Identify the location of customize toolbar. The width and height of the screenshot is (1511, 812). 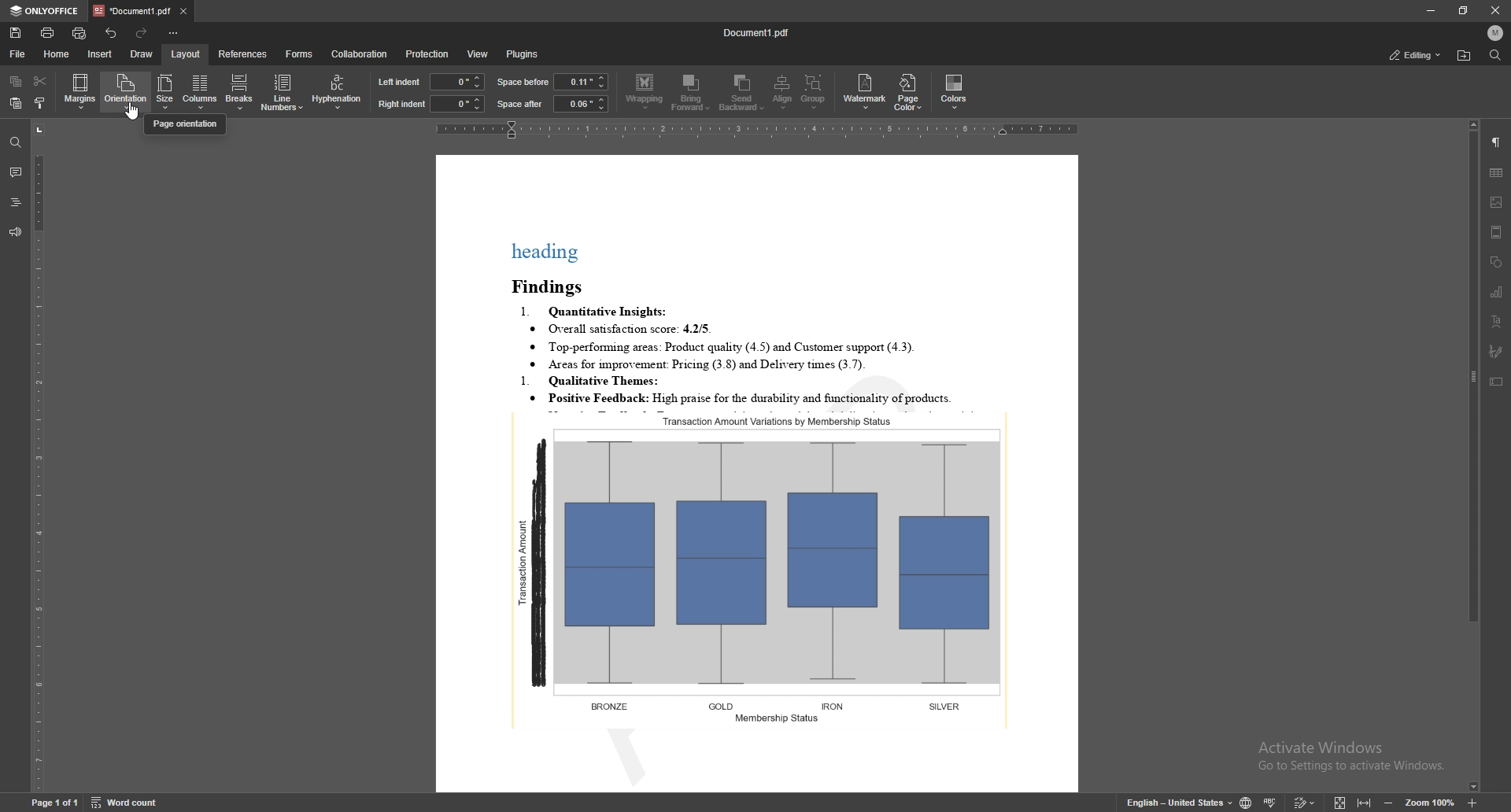
(172, 32).